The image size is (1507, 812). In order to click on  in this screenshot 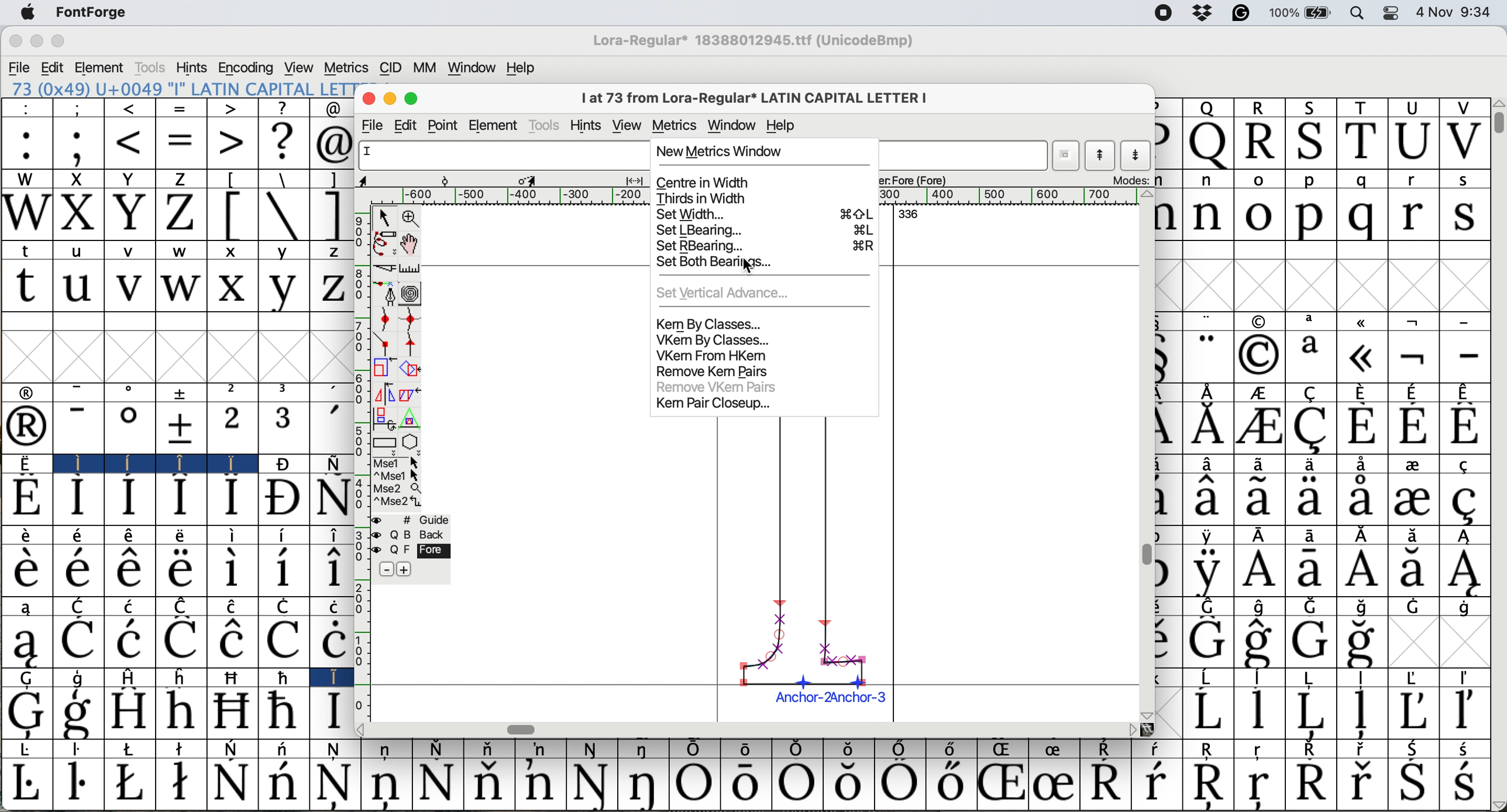, I will do `click(1129, 729)`.